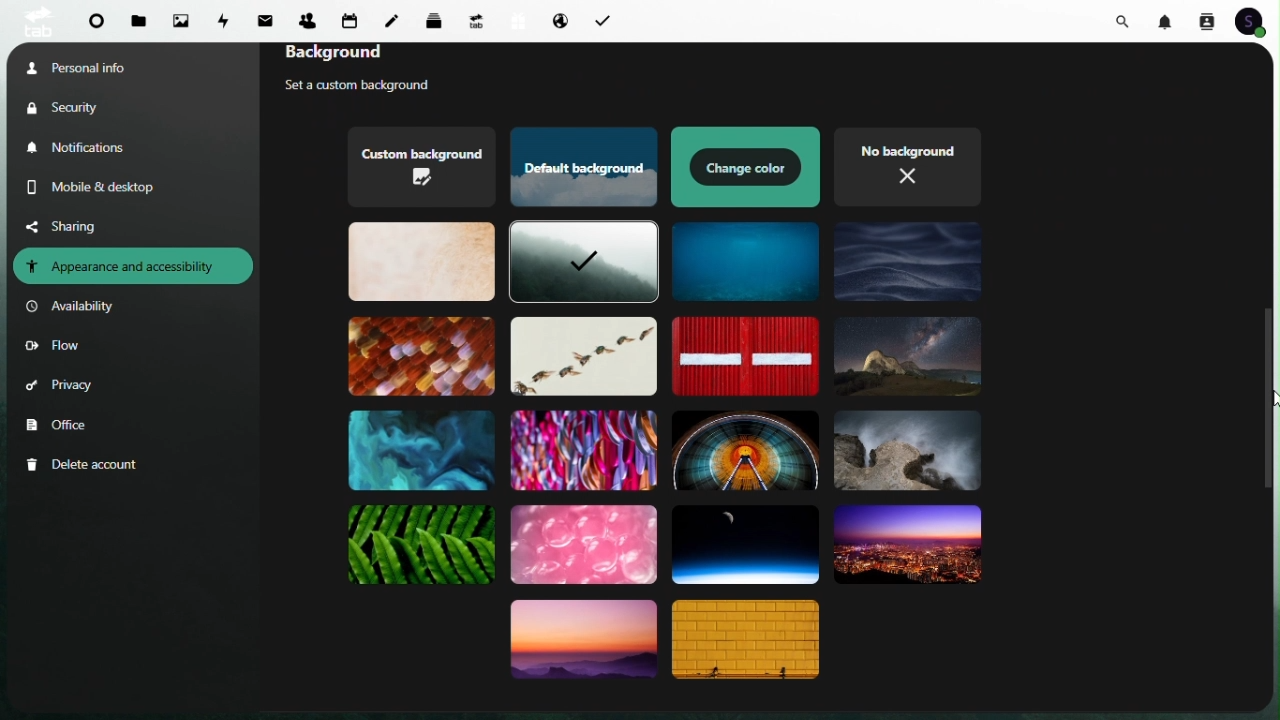 The height and width of the screenshot is (720, 1280). What do you see at coordinates (375, 87) in the screenshot?
I see `Set a custom background` at bounding box center [375, 87].